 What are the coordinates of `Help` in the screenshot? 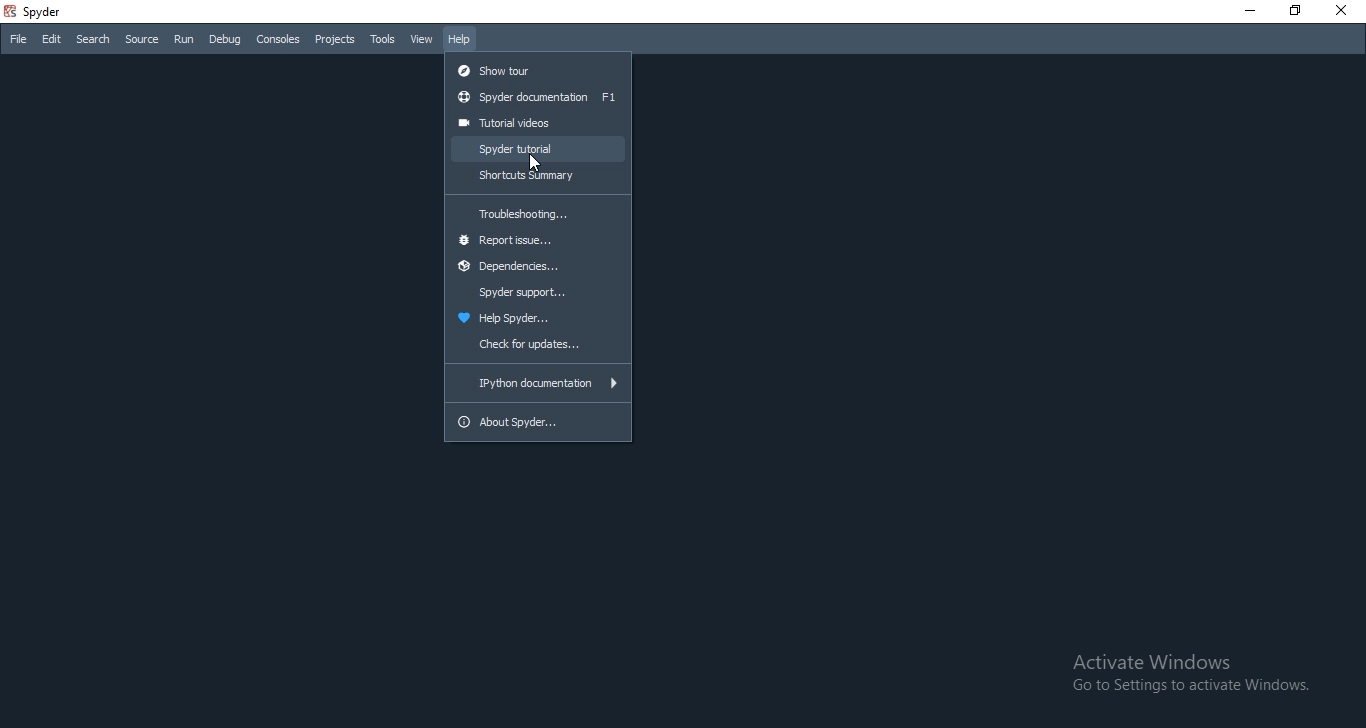 It's located at (463, 37).